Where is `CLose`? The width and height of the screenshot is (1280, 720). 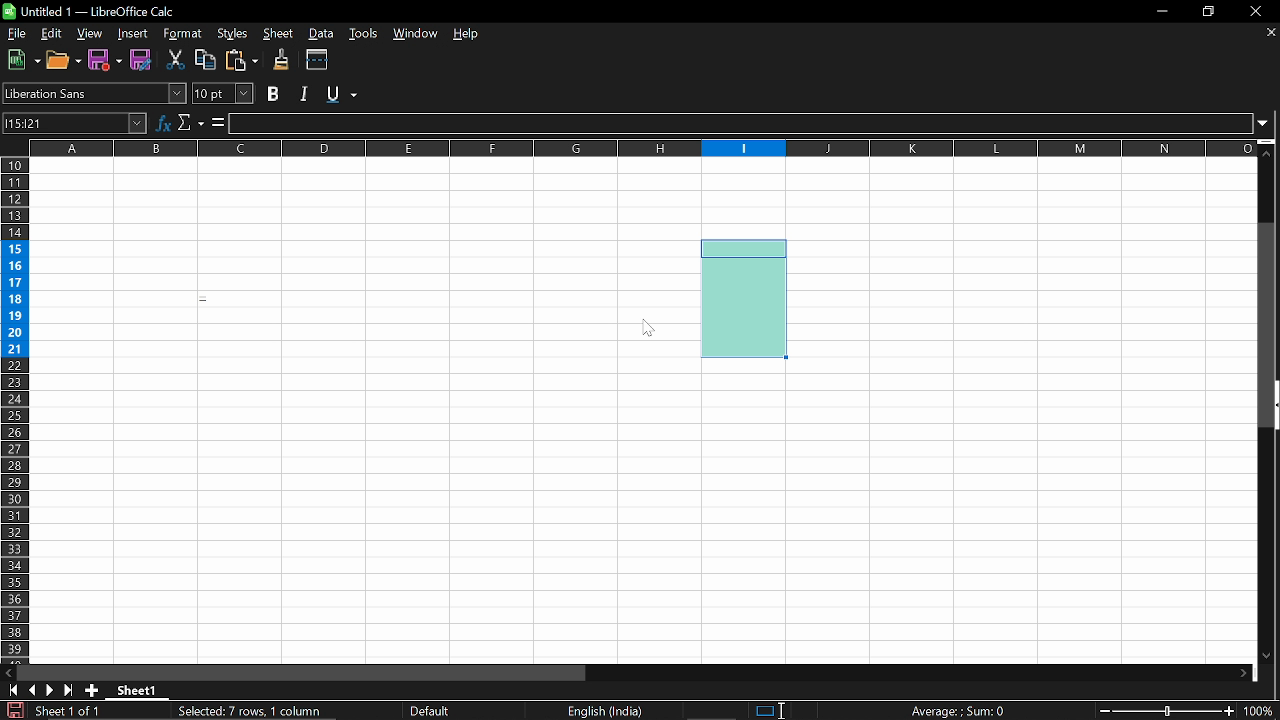
CLose is located at coordinates (1255, 11).